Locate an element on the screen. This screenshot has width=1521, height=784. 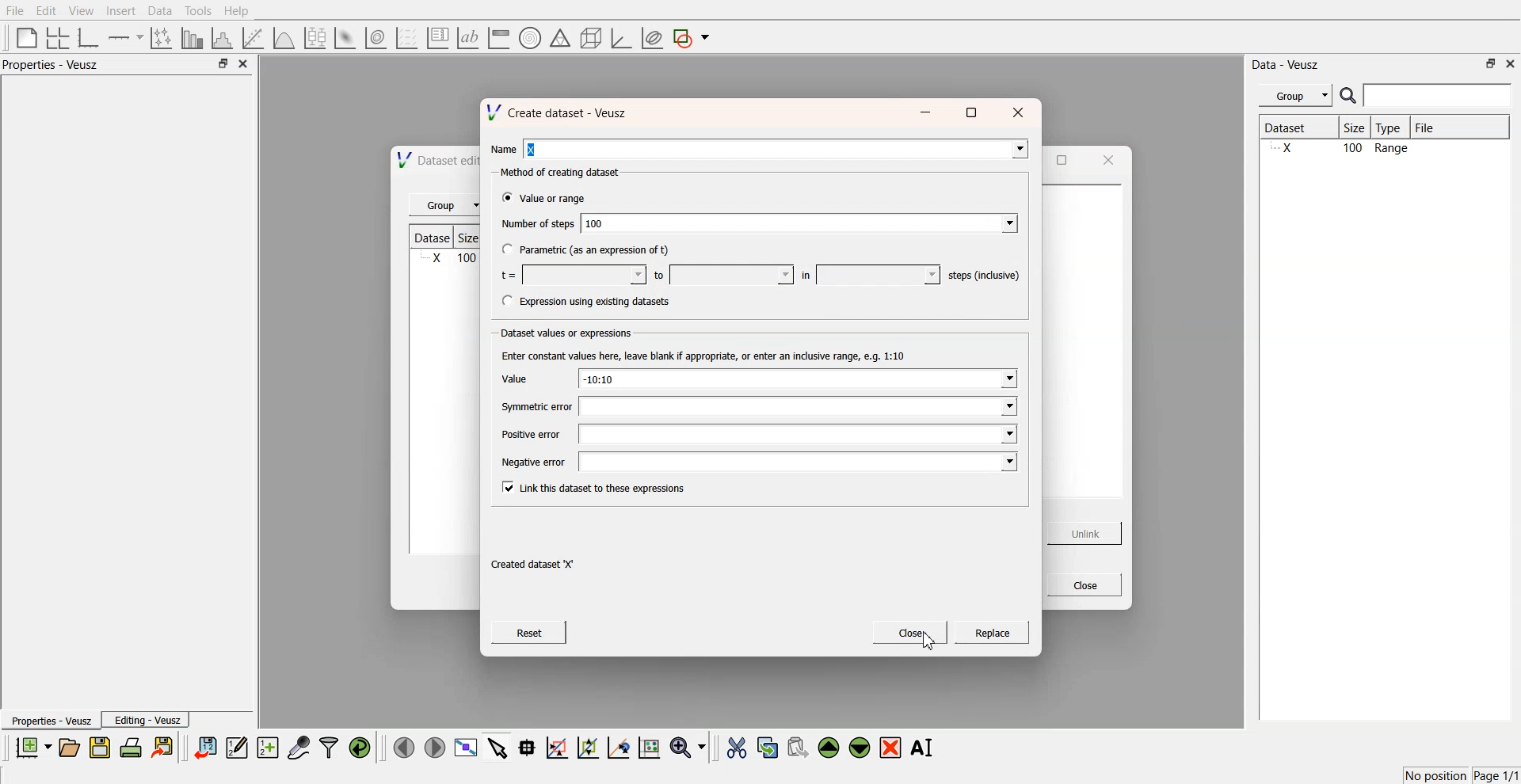
Created dataset 'X' is located at coordinates (536, 565).